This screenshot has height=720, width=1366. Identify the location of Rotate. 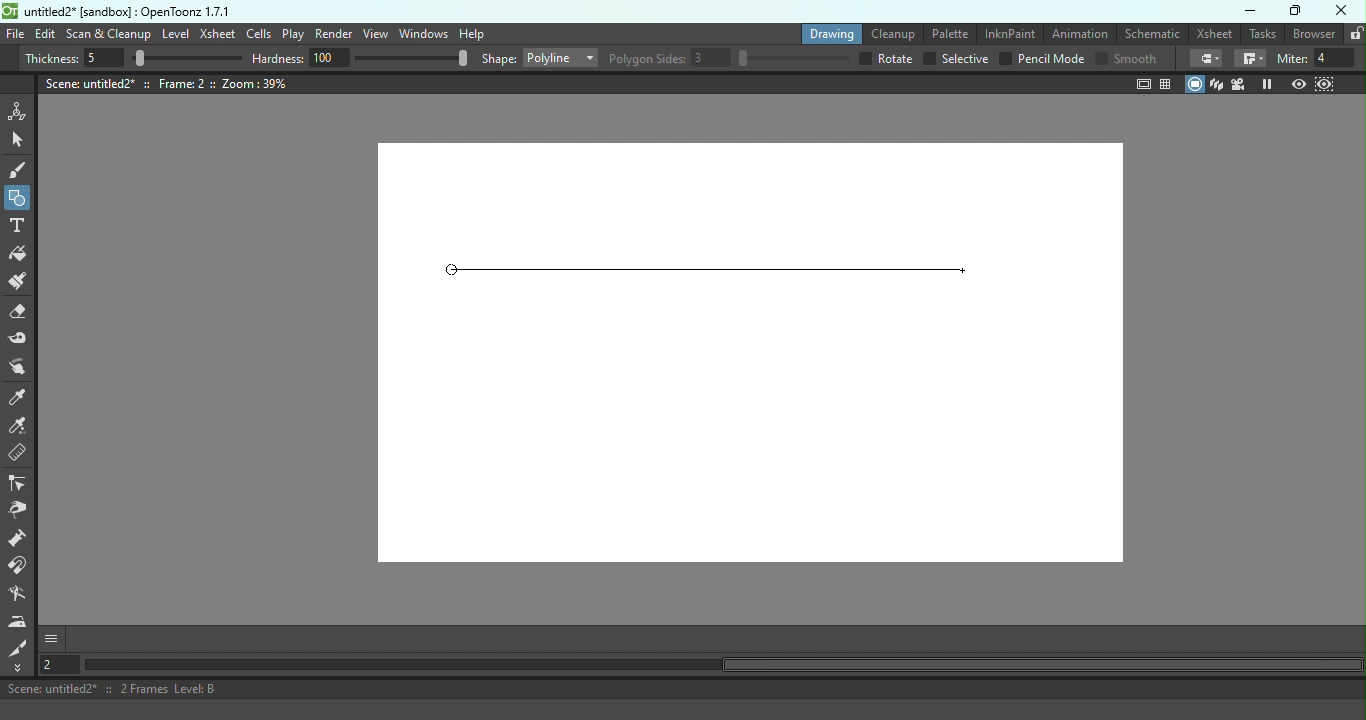
(886, 59).